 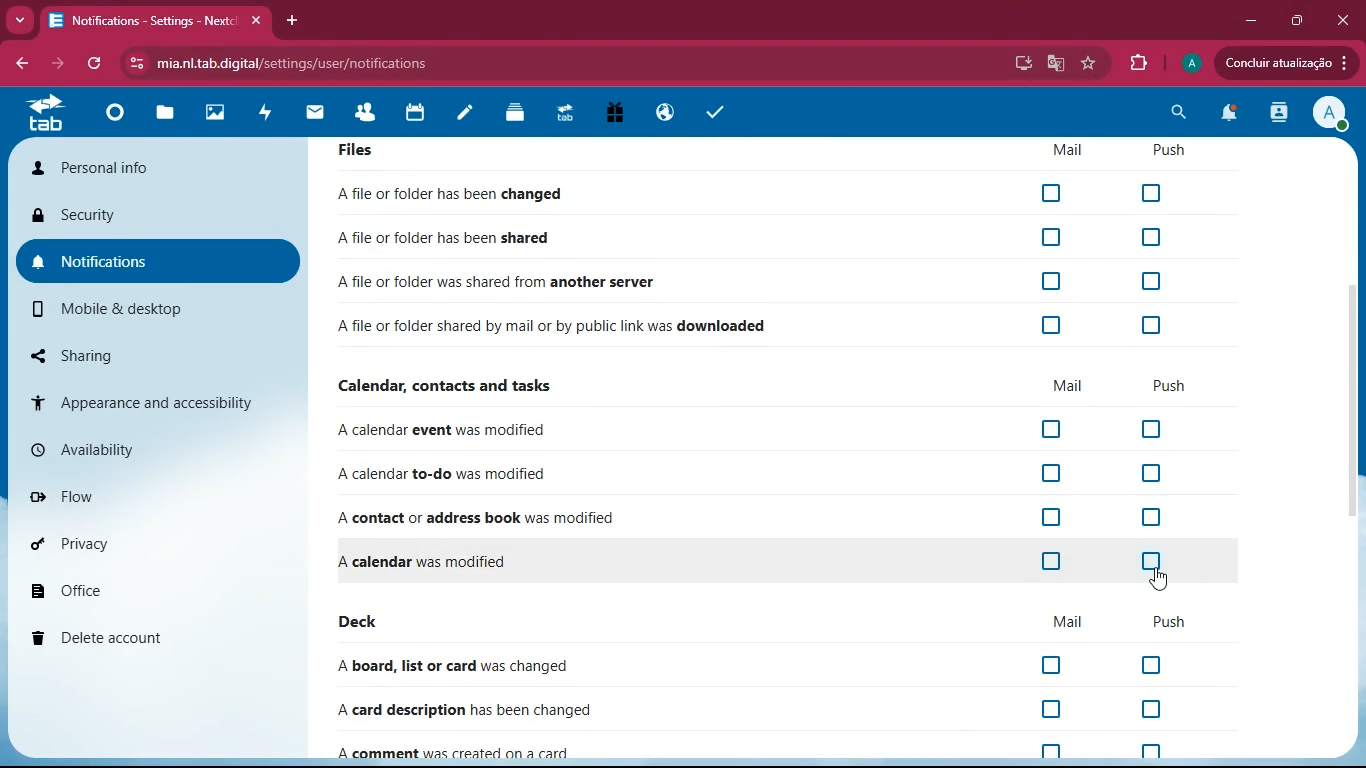 What do you see at coordinates (417, 116) in the screenshot?
I see `calendar` at bounding box center [417, 116].